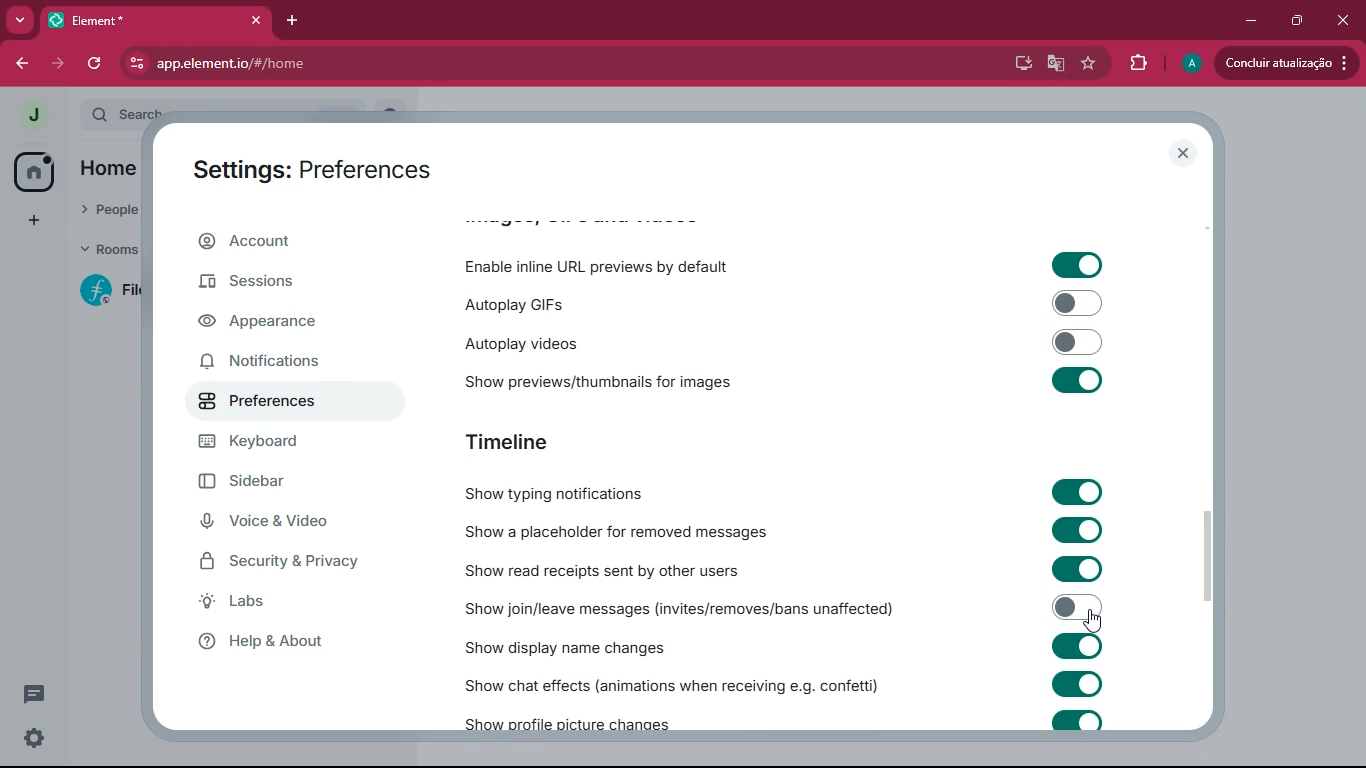  What do you see at coordinates (1093, 622) in the screenshot?
I see `cursor` at bounding box center [1093, 622].